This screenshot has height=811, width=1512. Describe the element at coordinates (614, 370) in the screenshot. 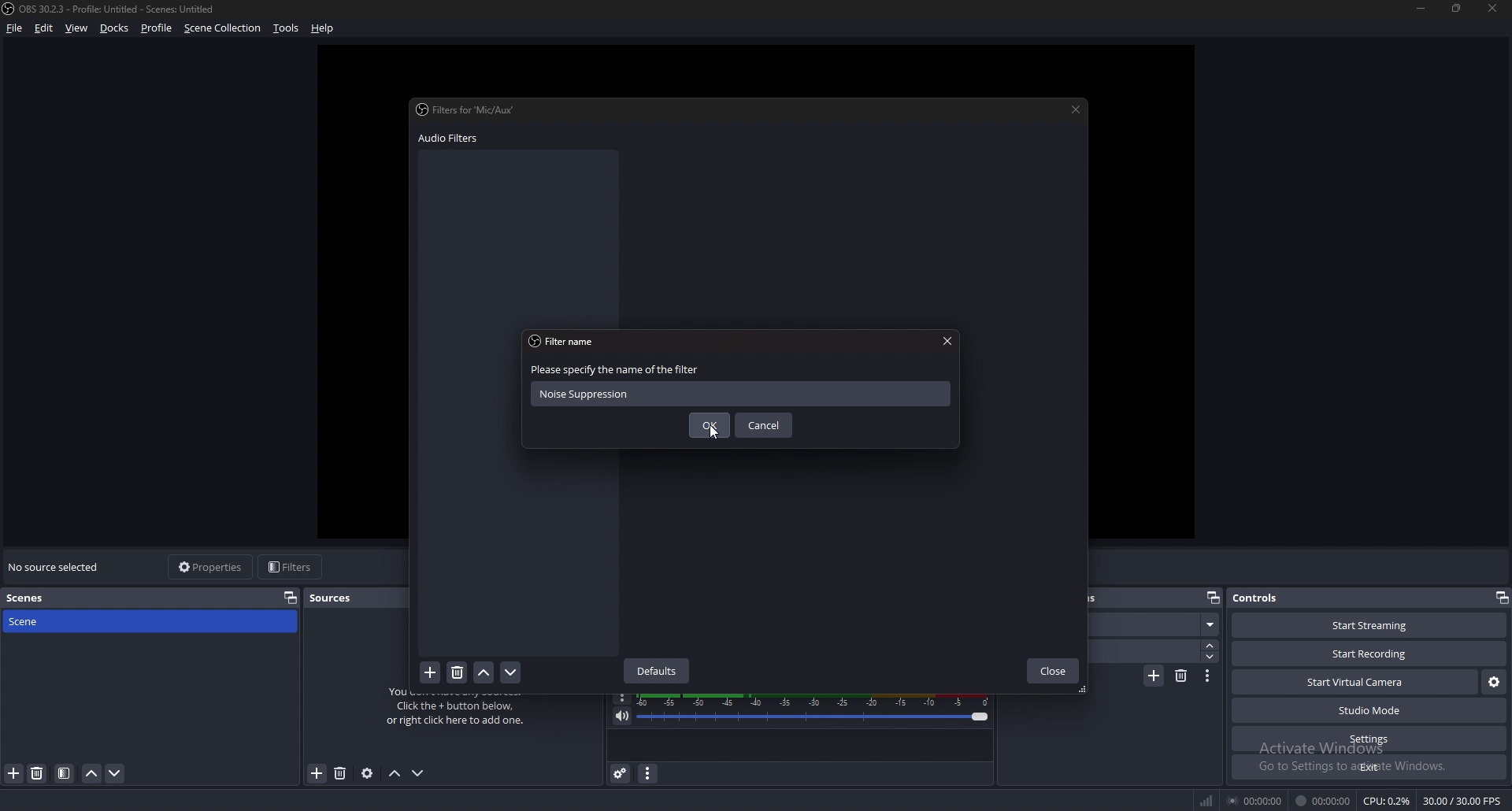

I see `please spceify the name of the filter` at that location.